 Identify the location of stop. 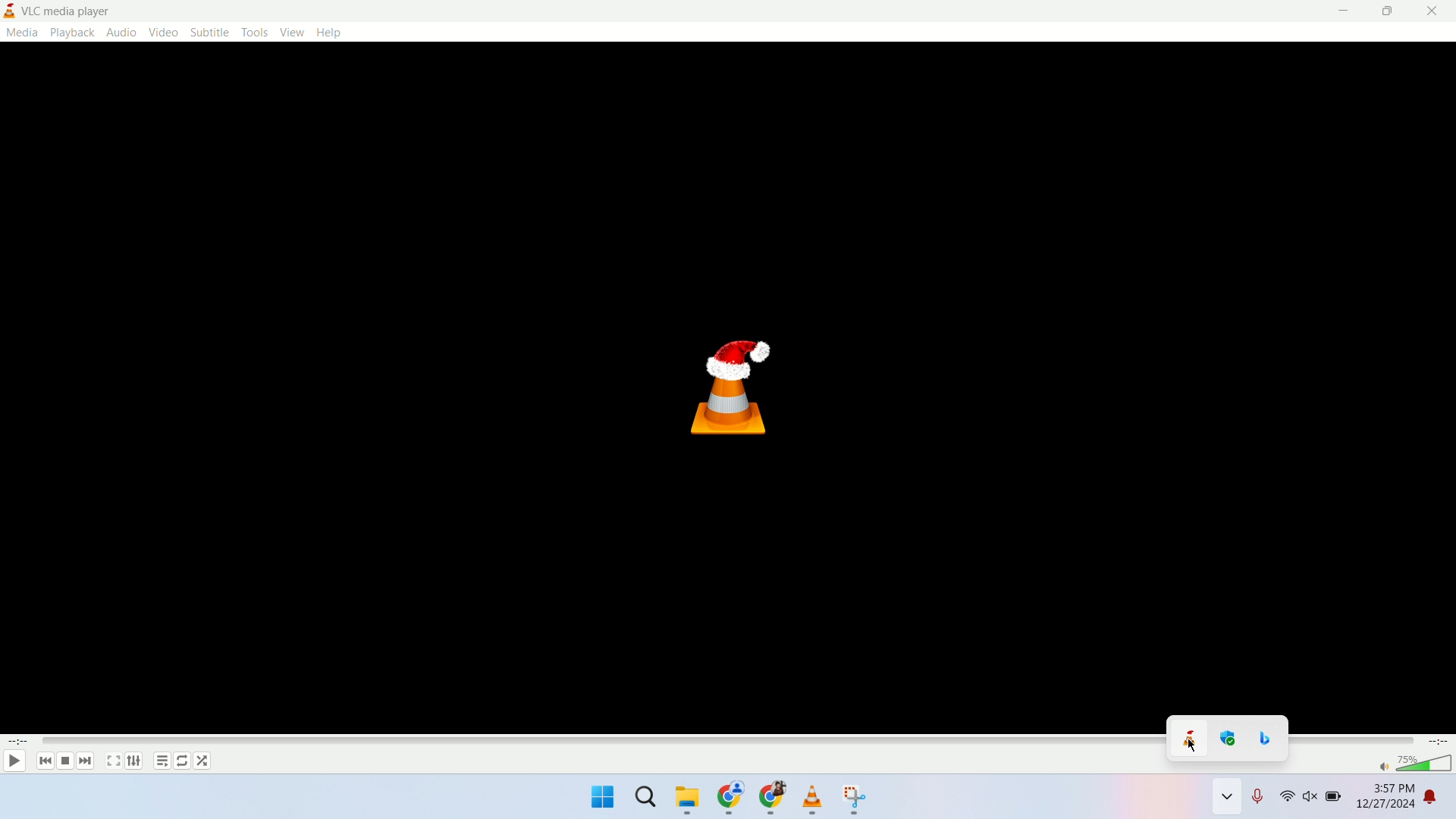
(64, 761).